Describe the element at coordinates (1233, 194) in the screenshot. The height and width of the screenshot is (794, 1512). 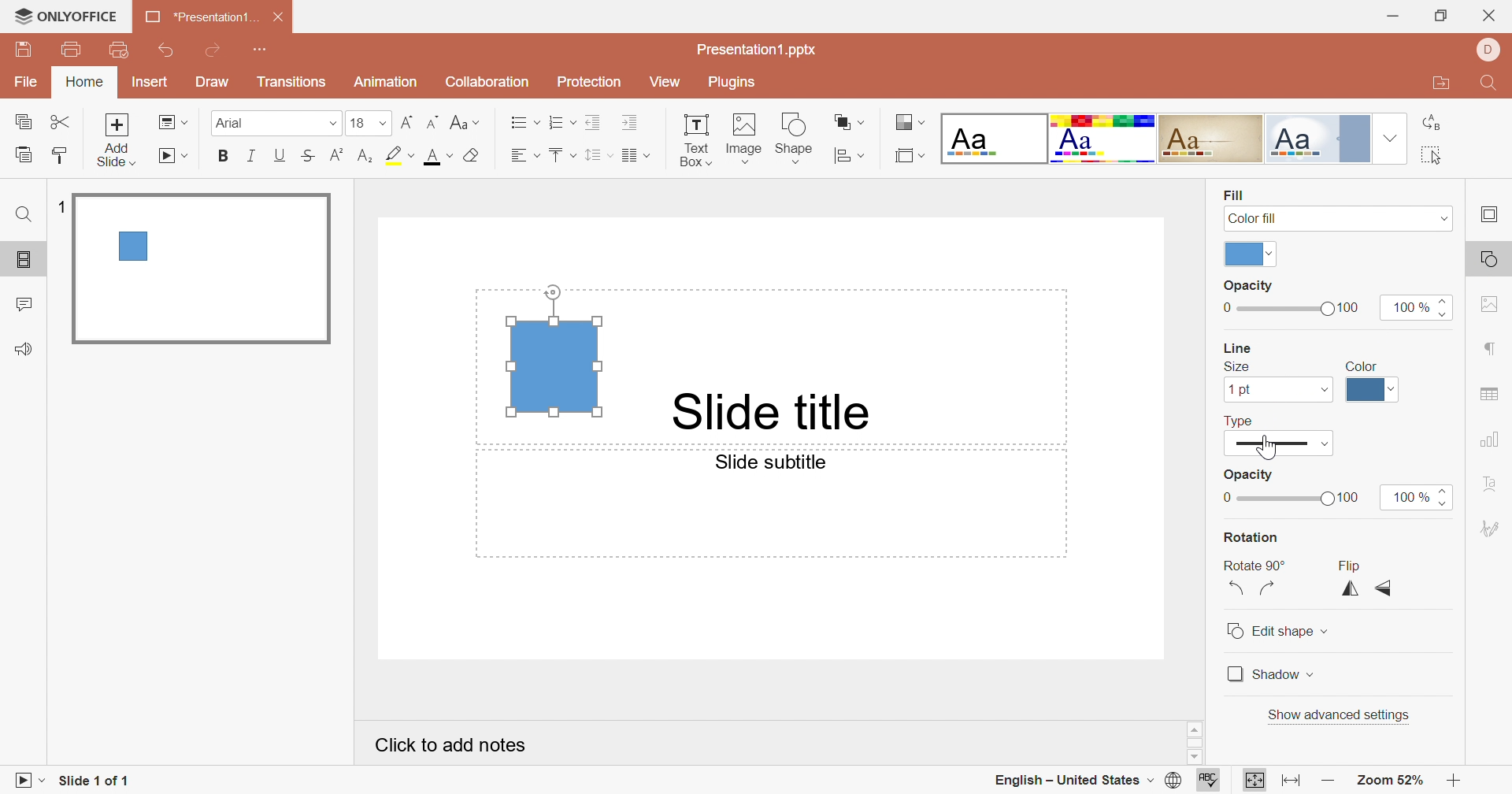
I see `Fill` at that location.